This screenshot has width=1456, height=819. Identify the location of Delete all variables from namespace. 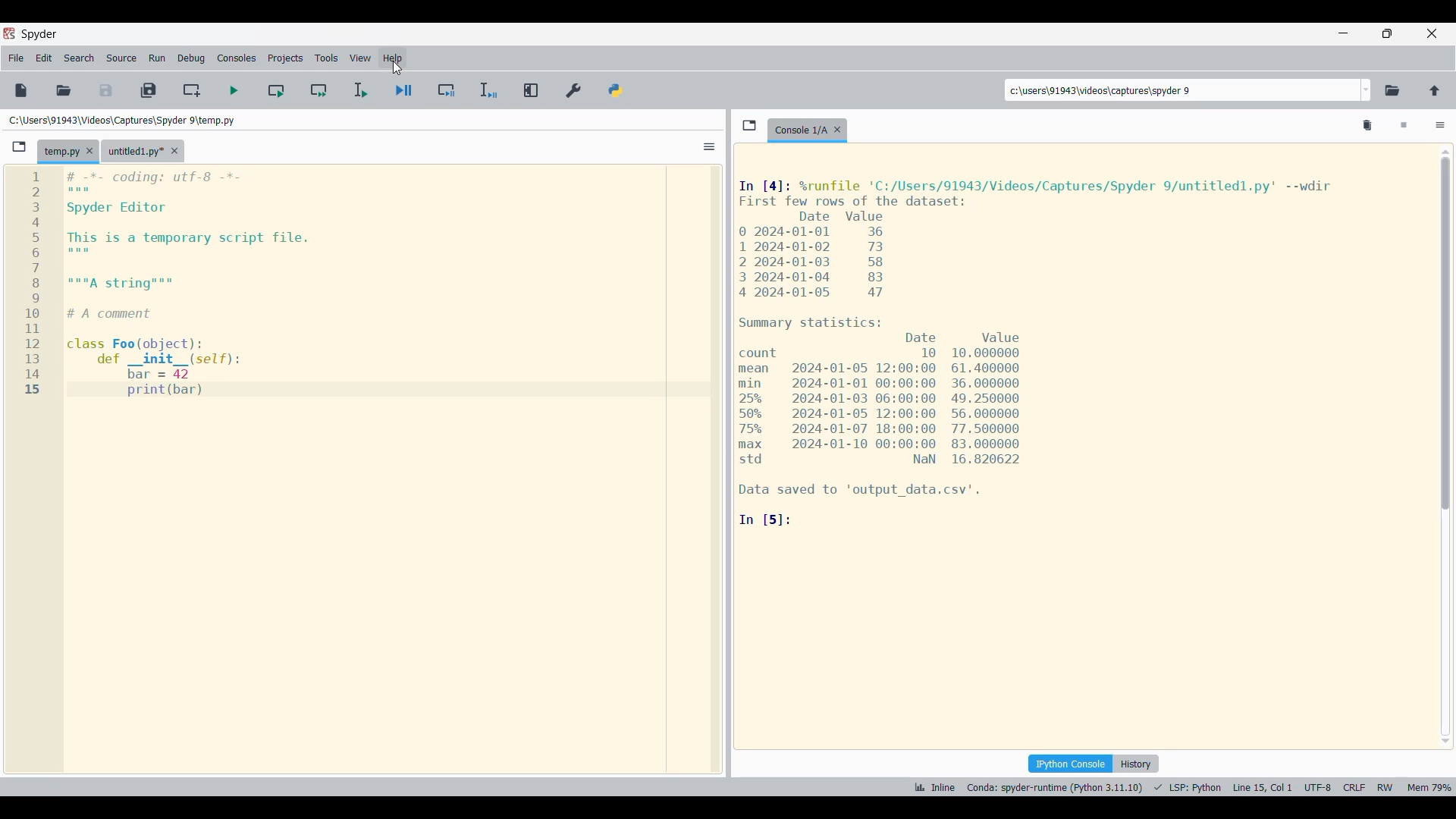
(1368, 126).